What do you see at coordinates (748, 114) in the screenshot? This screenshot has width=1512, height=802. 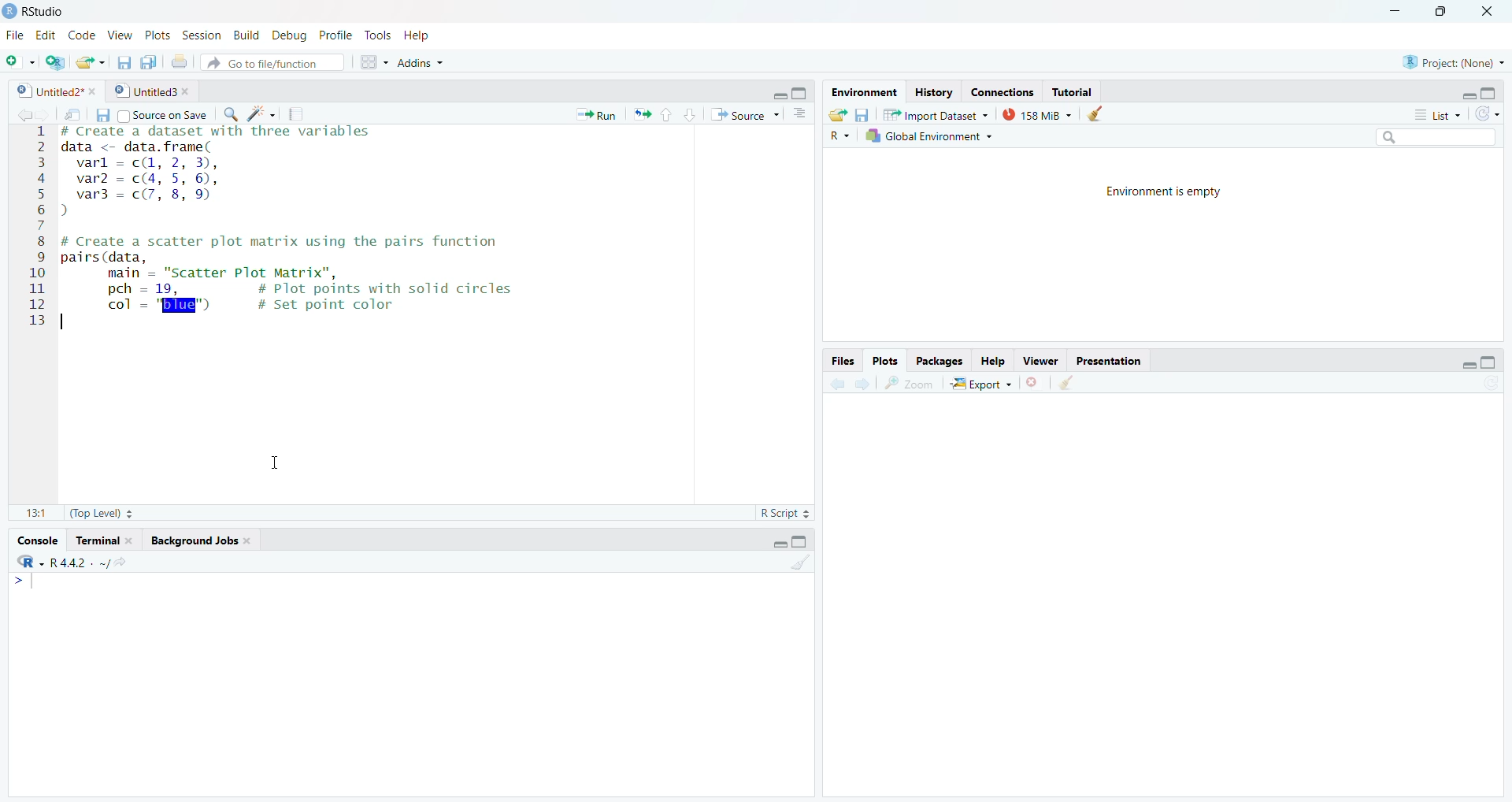 I see `+ Source` at bounding box center [748, 114].